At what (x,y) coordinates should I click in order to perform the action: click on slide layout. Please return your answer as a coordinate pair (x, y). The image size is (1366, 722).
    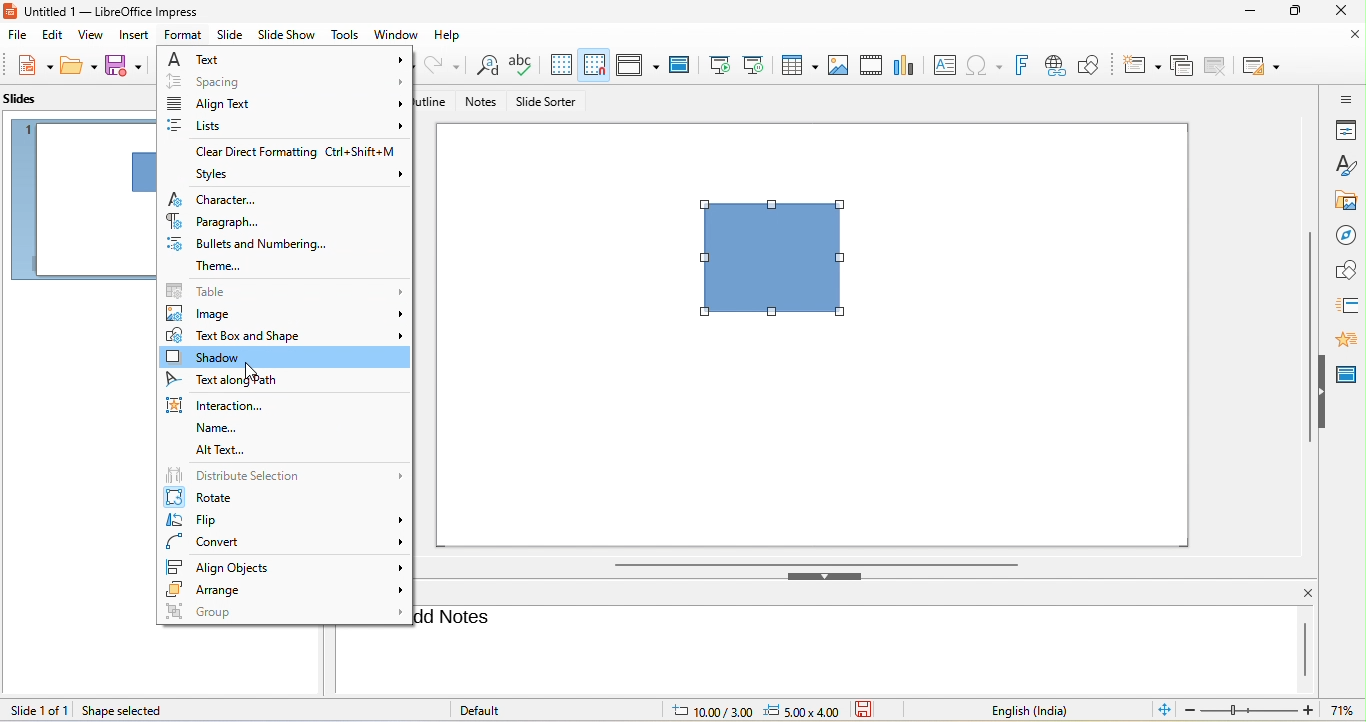
    Looking at the image, I should click on (1263, 67).